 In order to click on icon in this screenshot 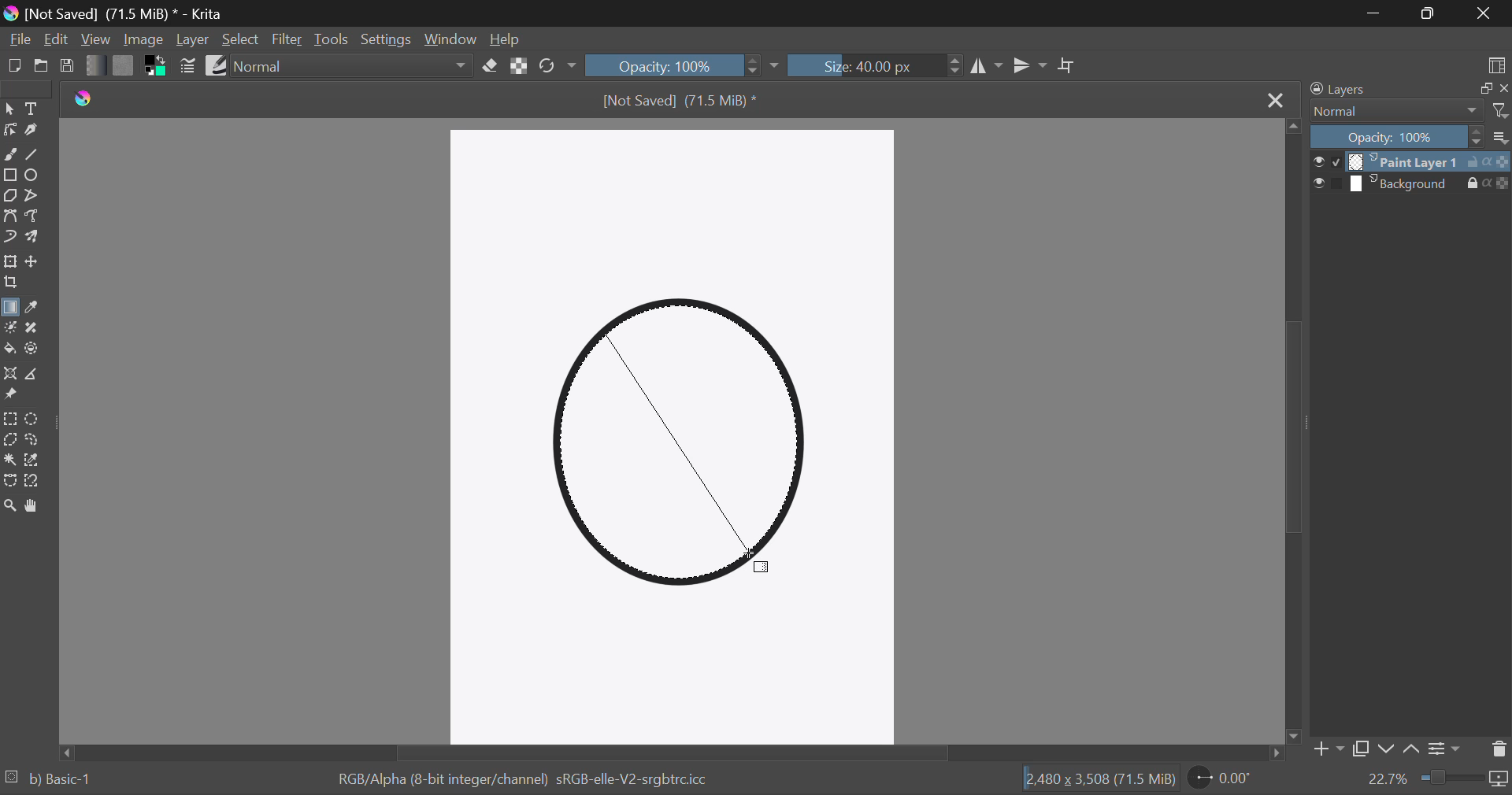, I will do `click(1501, 782)`.